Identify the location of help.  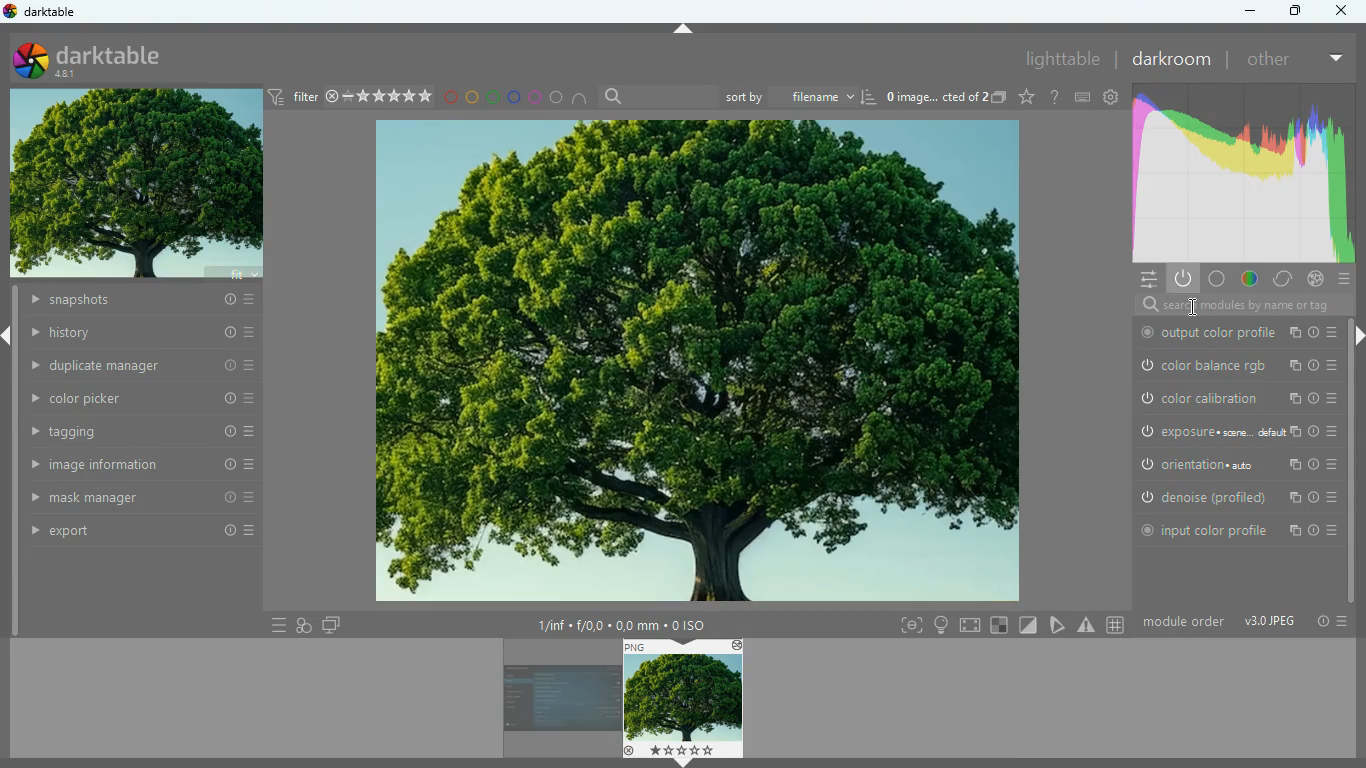
(1055, 97).